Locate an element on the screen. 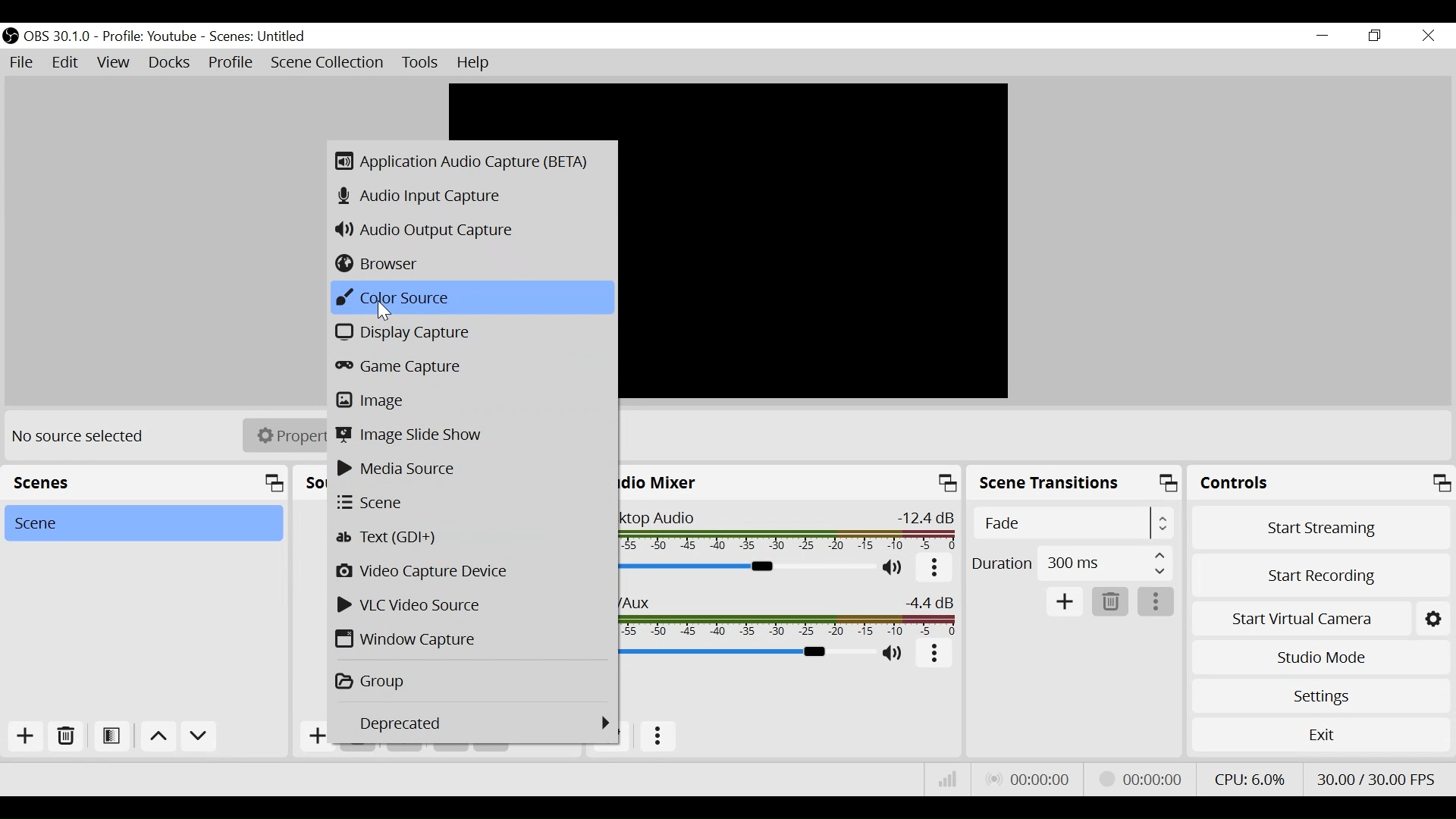 This screenshot has height=819, width=1456. CPU Usage is located at coordinates (1250, 779).